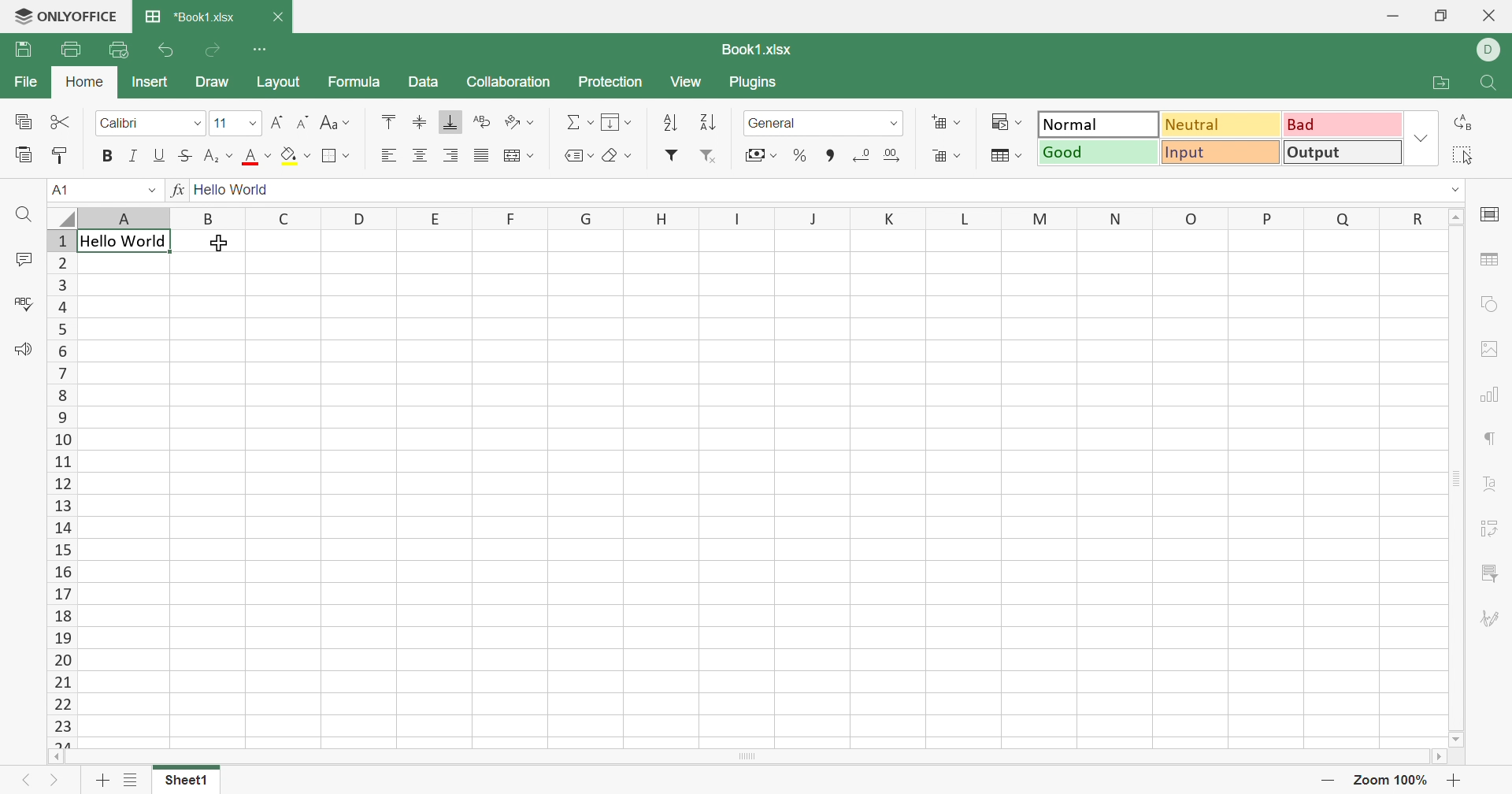 This screenshot has height=794, width=1512. Describe the element at coordinates (1437, 755) in the screenshot. I see `Scroll right` at that location.